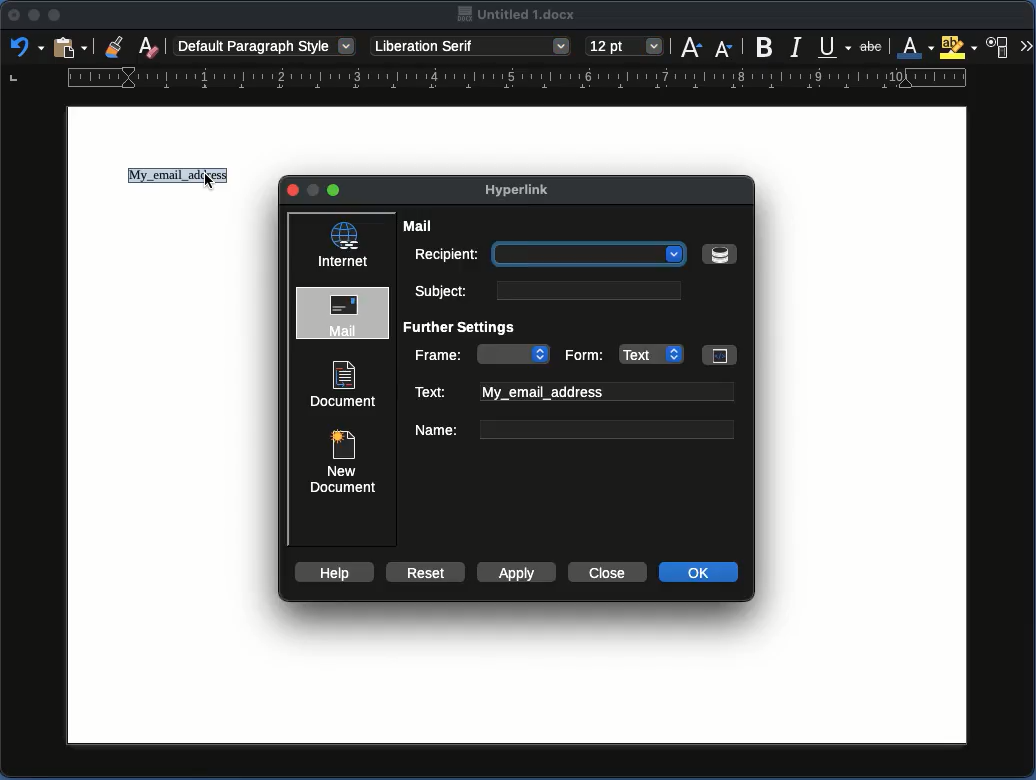 The height and width of the screenshot is (780, 1036). Describe the element at coordinates (344, 245) in the screenshot. I see `Internet` at that location.